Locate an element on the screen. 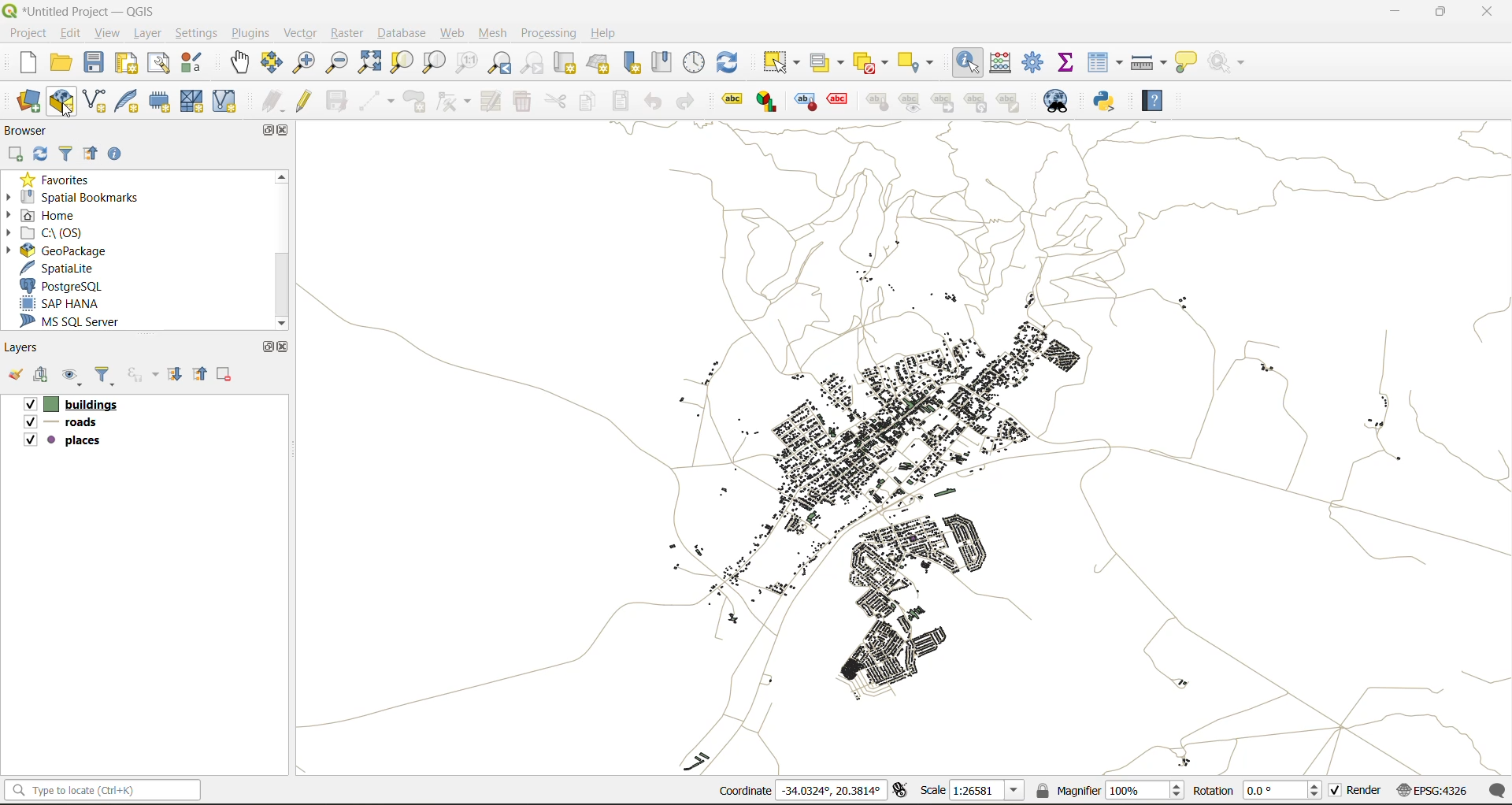  zoom selection is located at coordinates (404, 62).